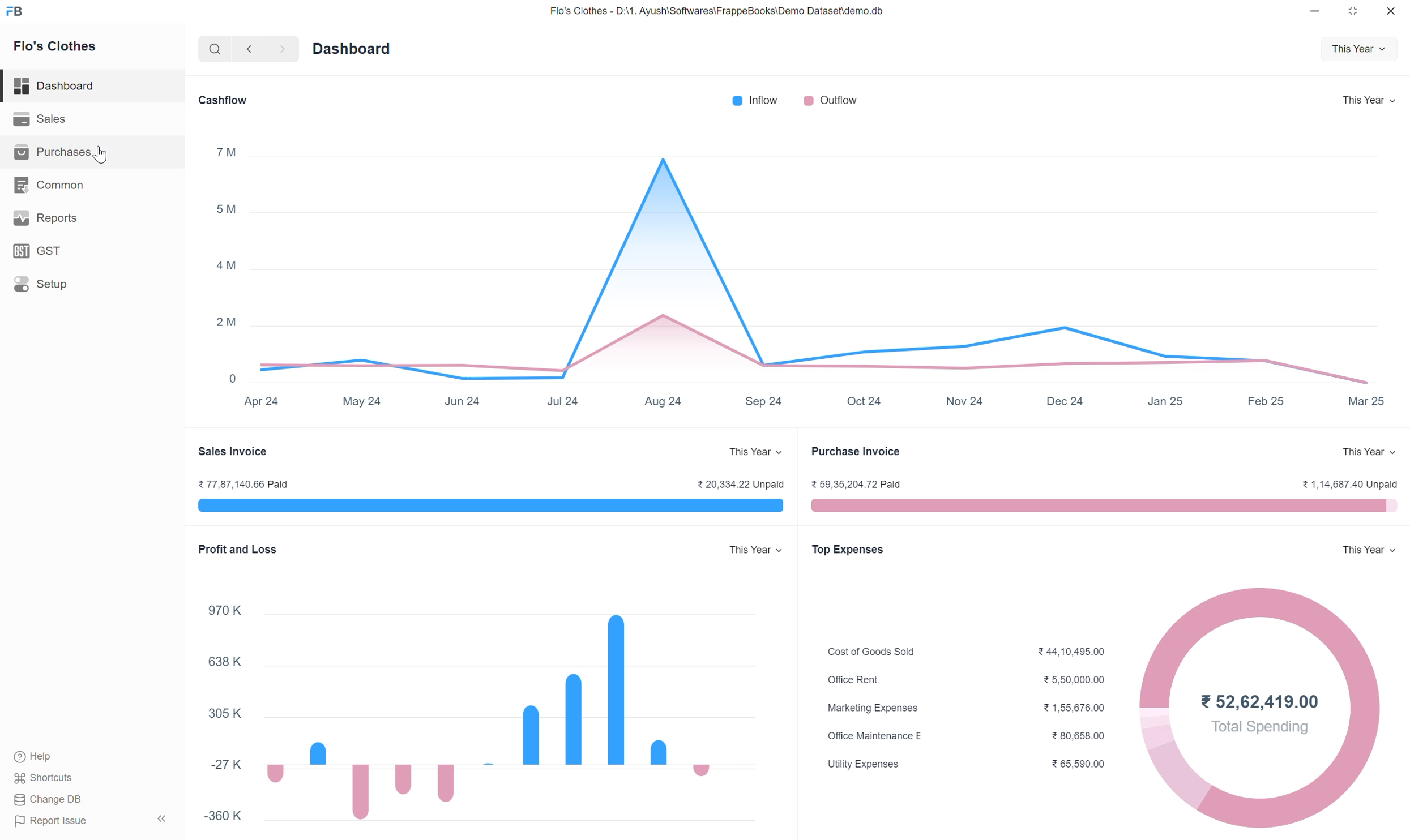 The image size is (1410, 840). I want to click on nov 24, so click(963, 405).